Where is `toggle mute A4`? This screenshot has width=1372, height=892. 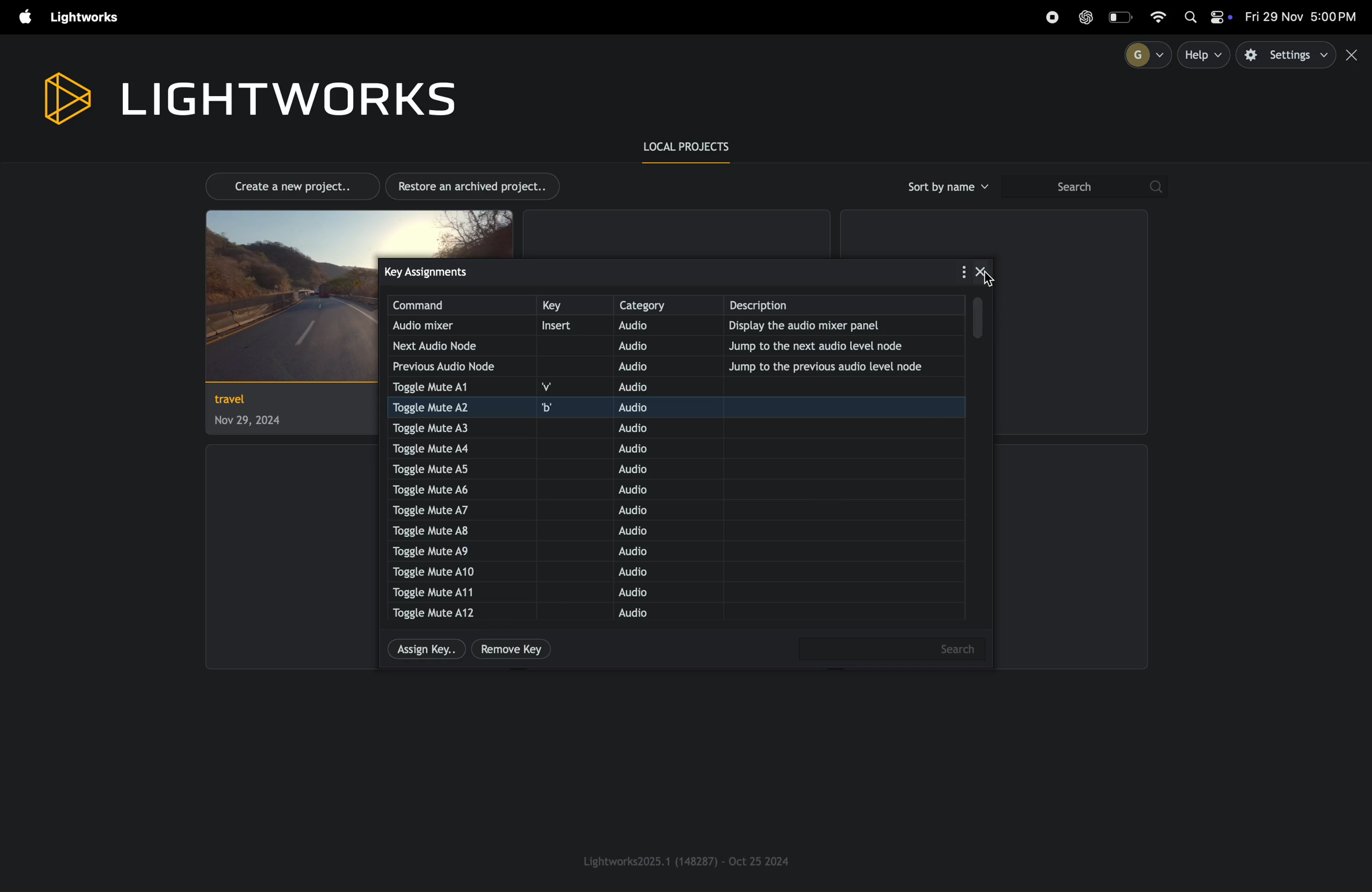 toggle mute A4 is located at coordinates (458, 447).